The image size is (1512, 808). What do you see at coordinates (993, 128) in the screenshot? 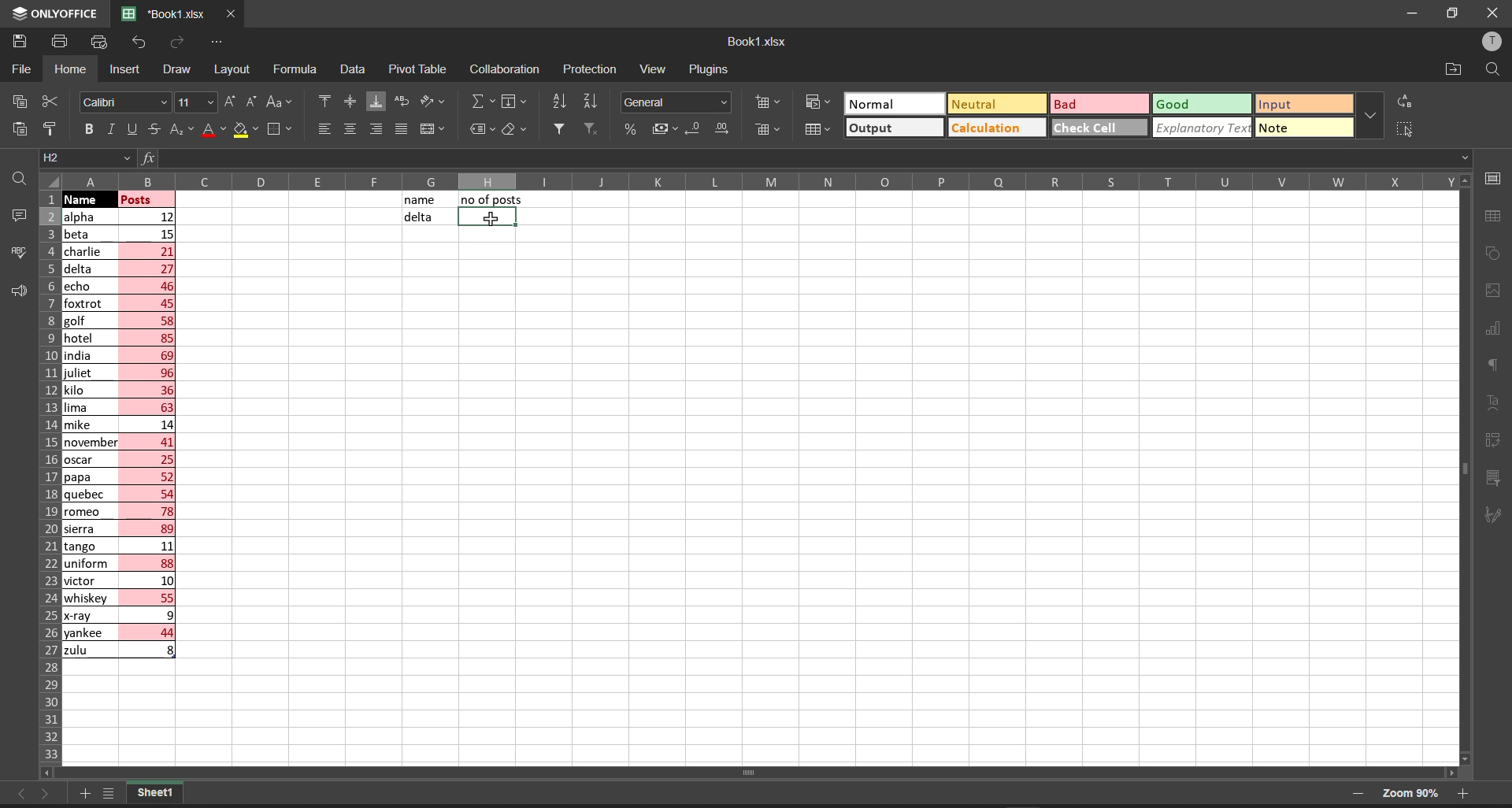
I see `calculation` at bounding box center [993, 128].